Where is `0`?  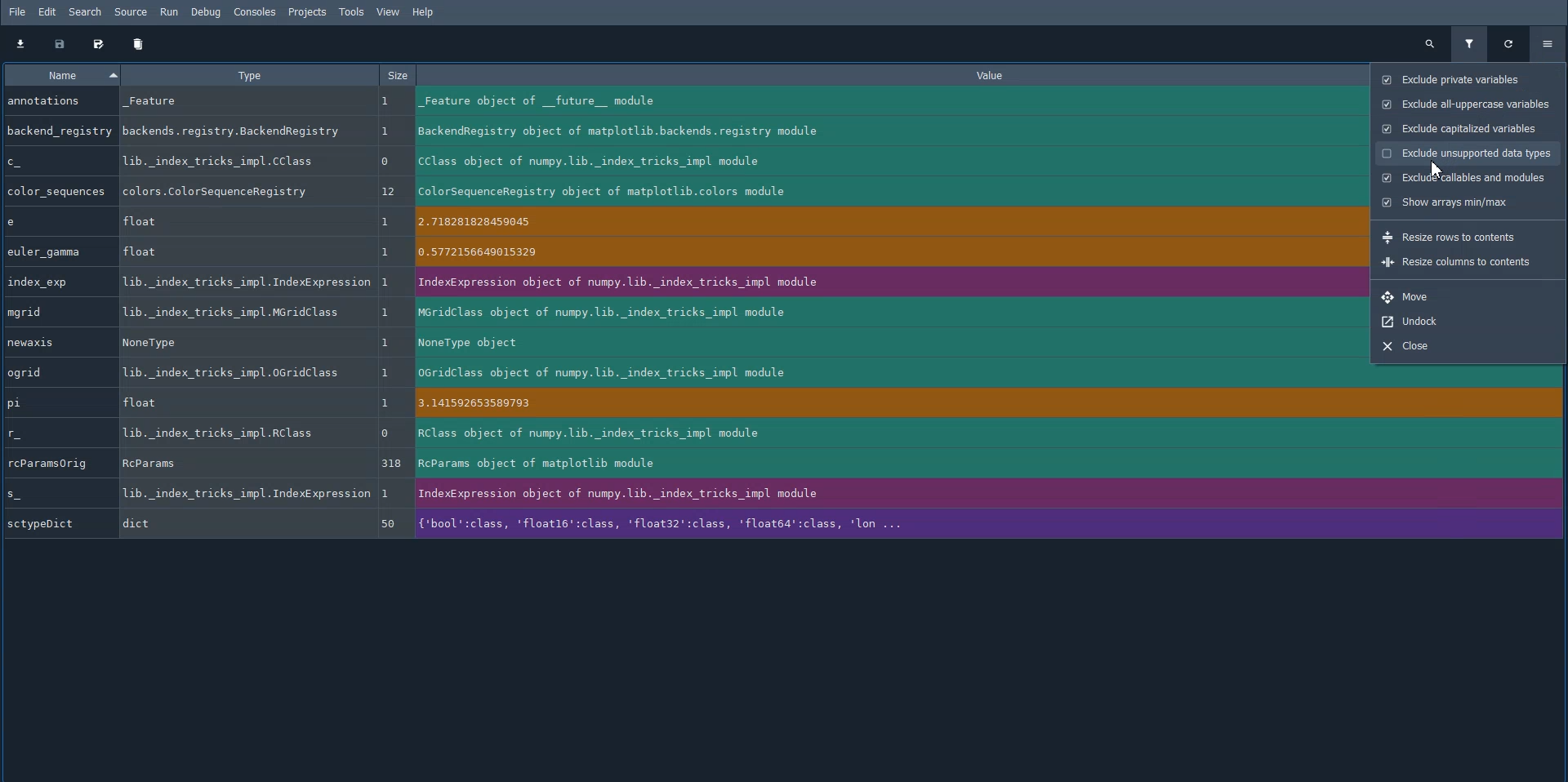 0 is located at coordinates (392, 162).